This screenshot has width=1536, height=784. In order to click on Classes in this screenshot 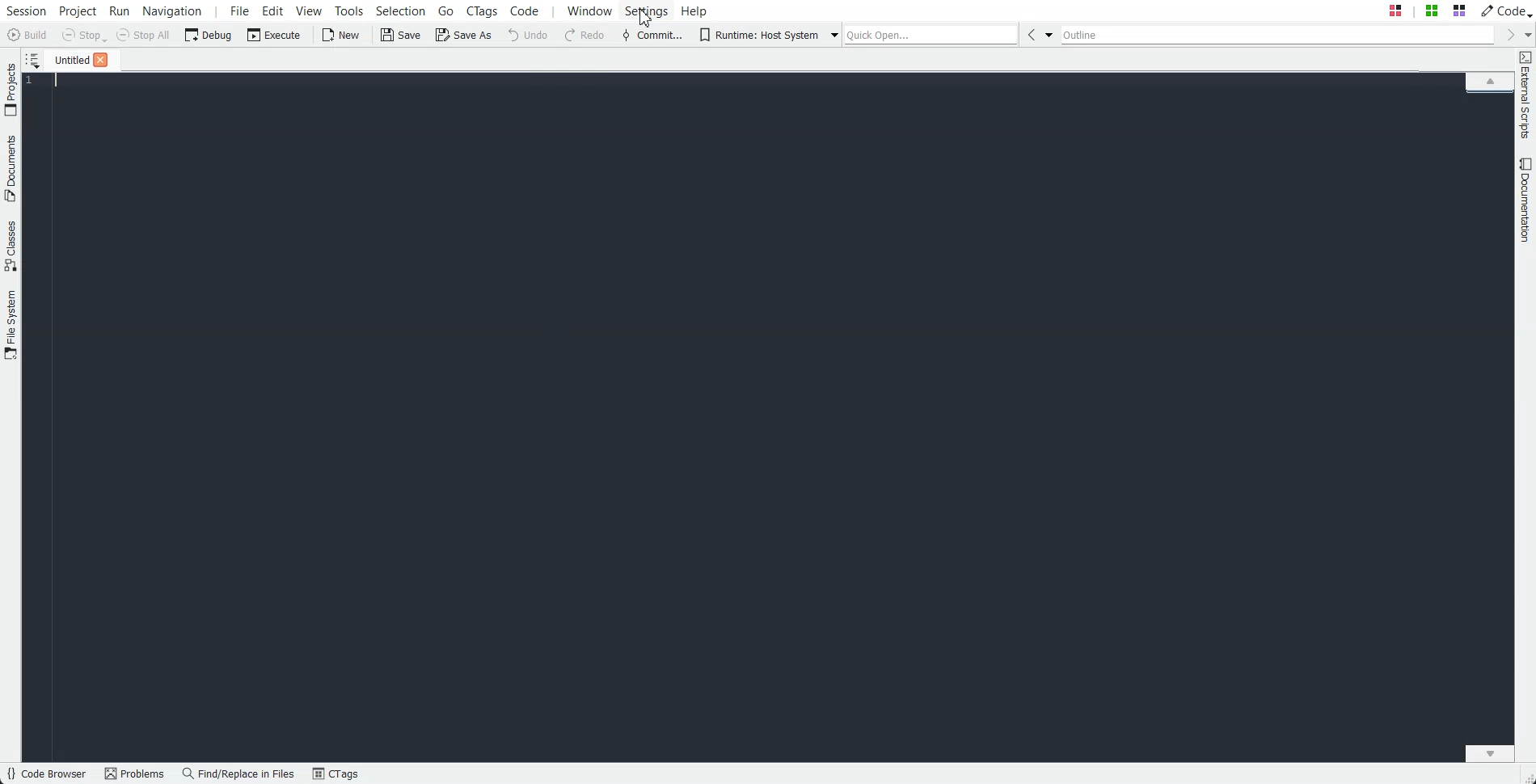, I will do `click(11, 246)`.